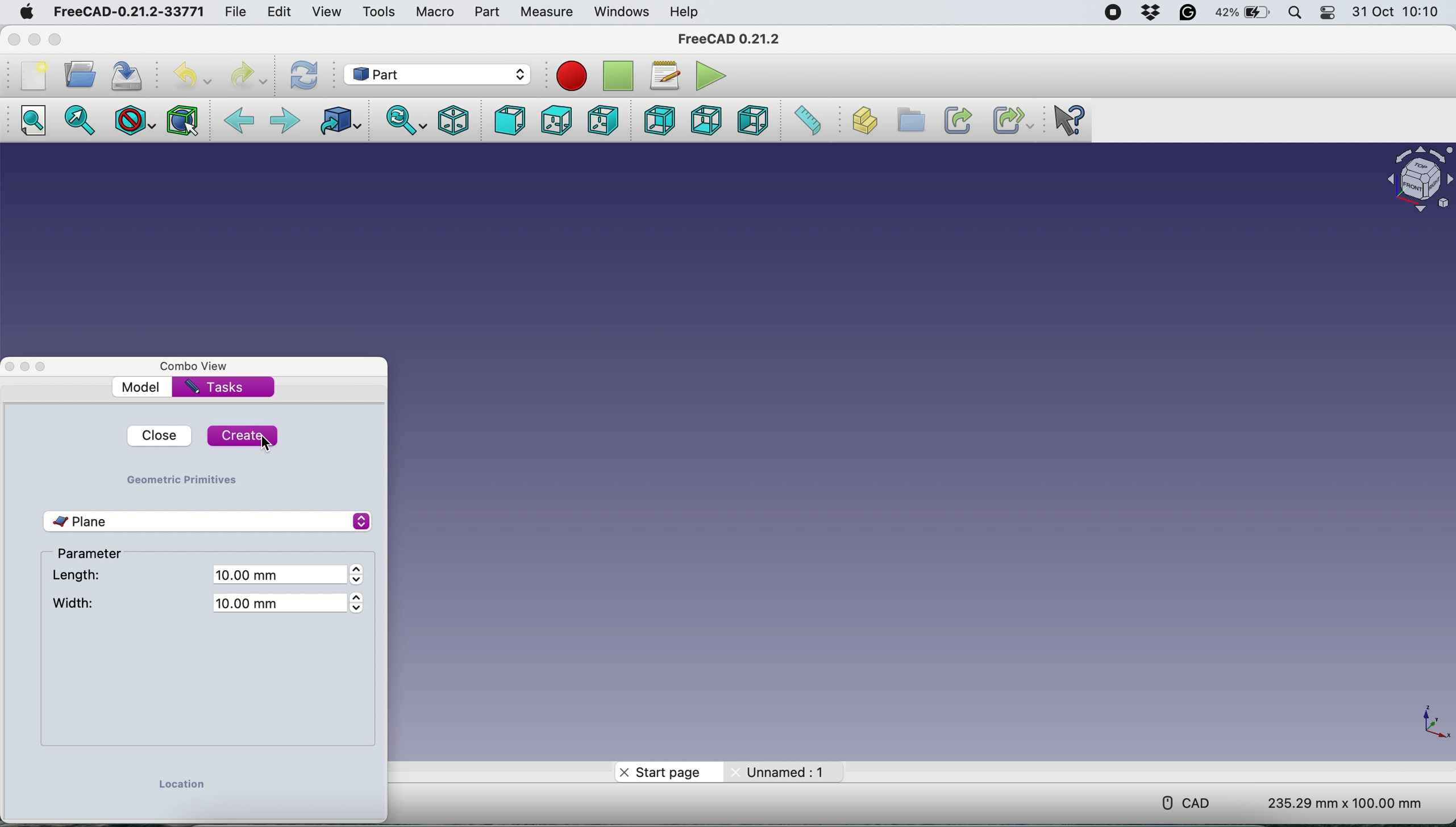 The image size is (1456, 827). I want to click on Right, so click(601, 119).